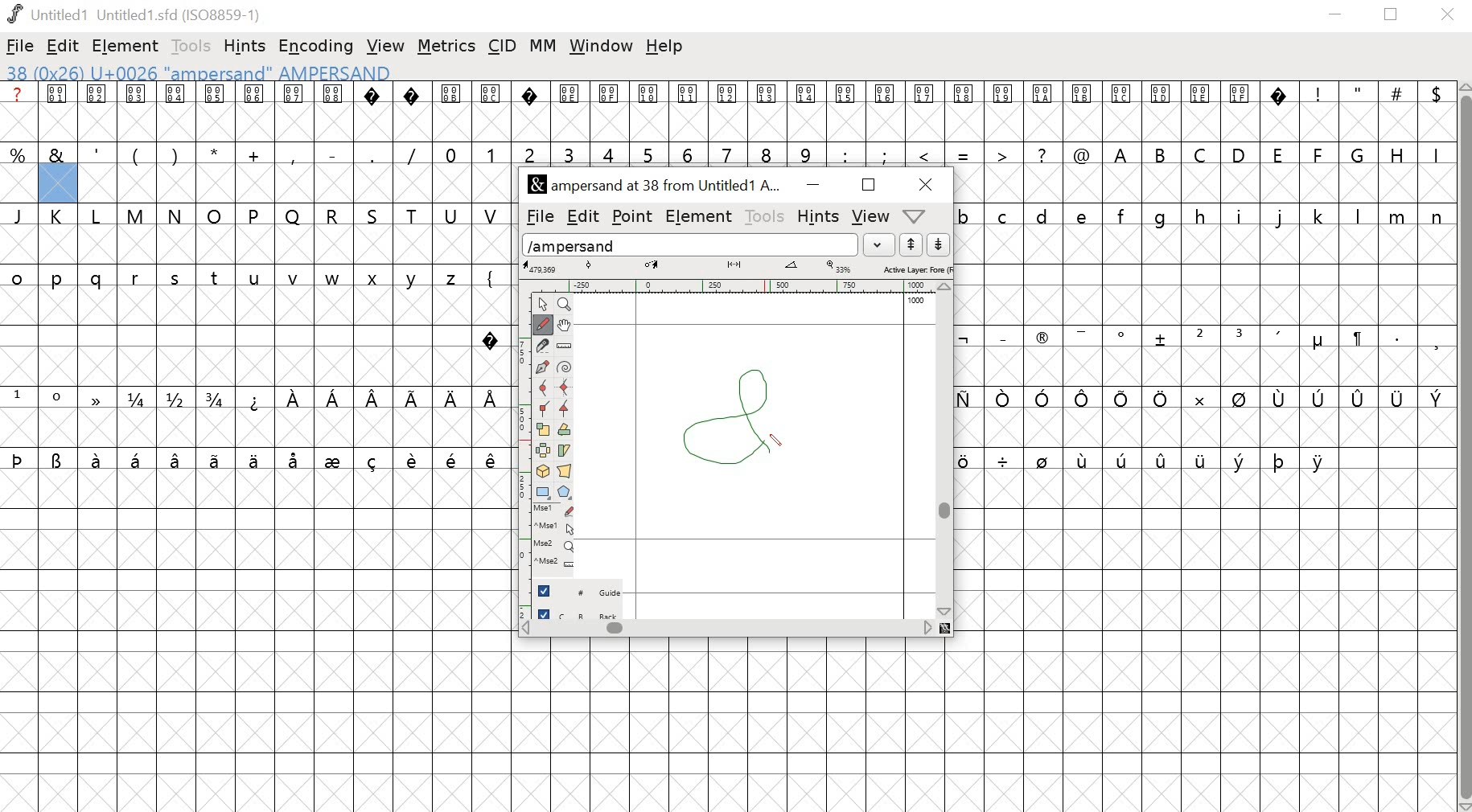 The image size is (1472, 812). What do you see at coordinates (215, 215) in the screenshot?
I see `O` at bounding box center [215, 215].